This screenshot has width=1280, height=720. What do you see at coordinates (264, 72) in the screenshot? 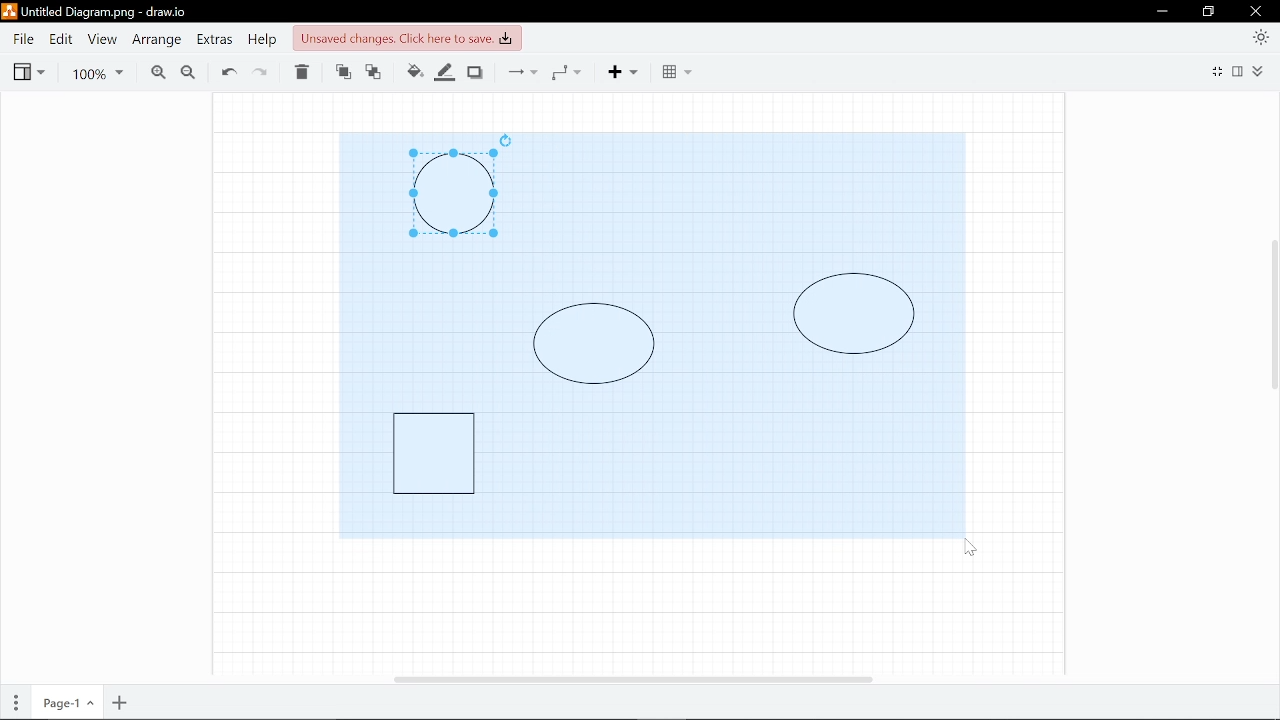
I see `Redo` at bounding box center [264, 72].